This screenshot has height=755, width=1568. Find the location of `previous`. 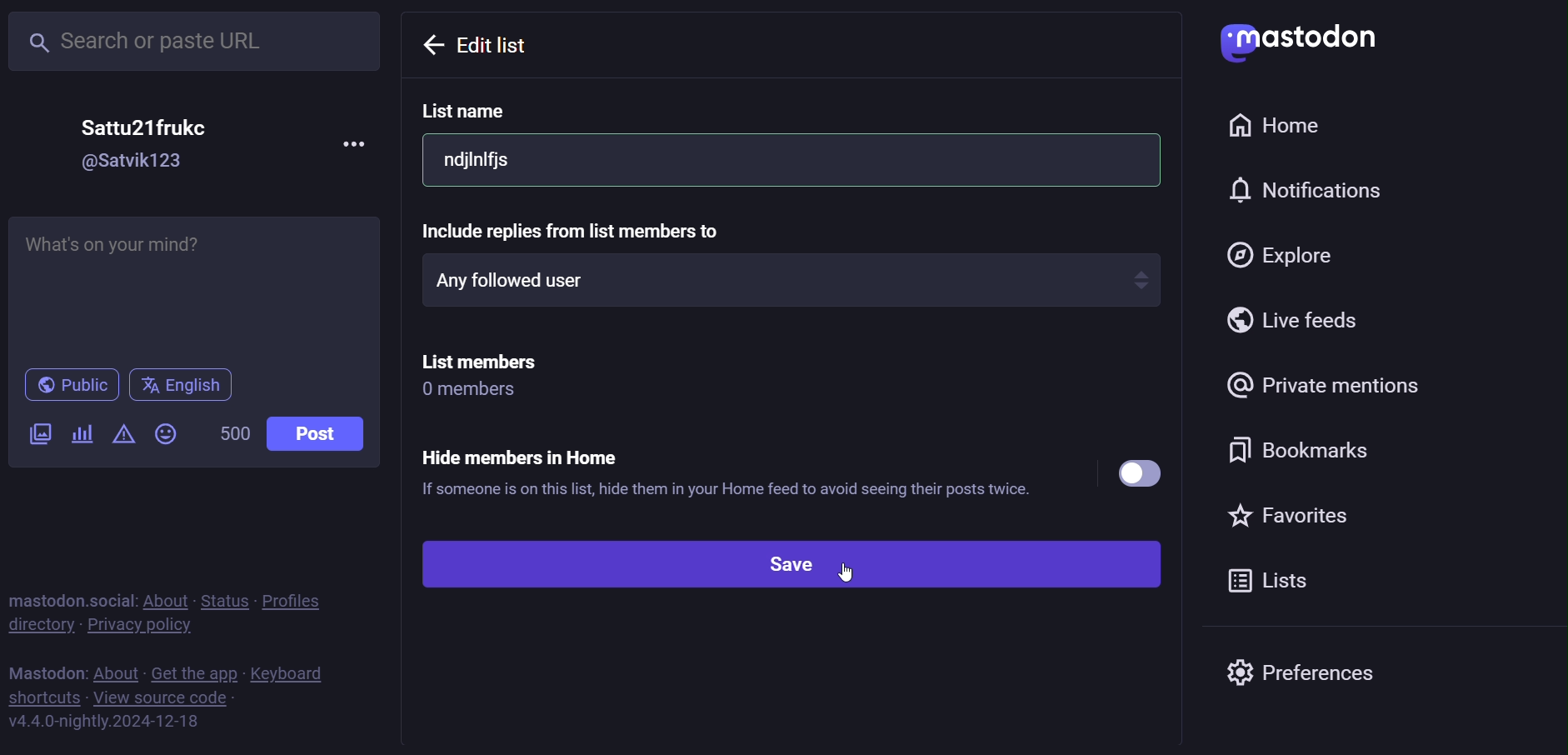

previous is located at coordinates (478, 45).